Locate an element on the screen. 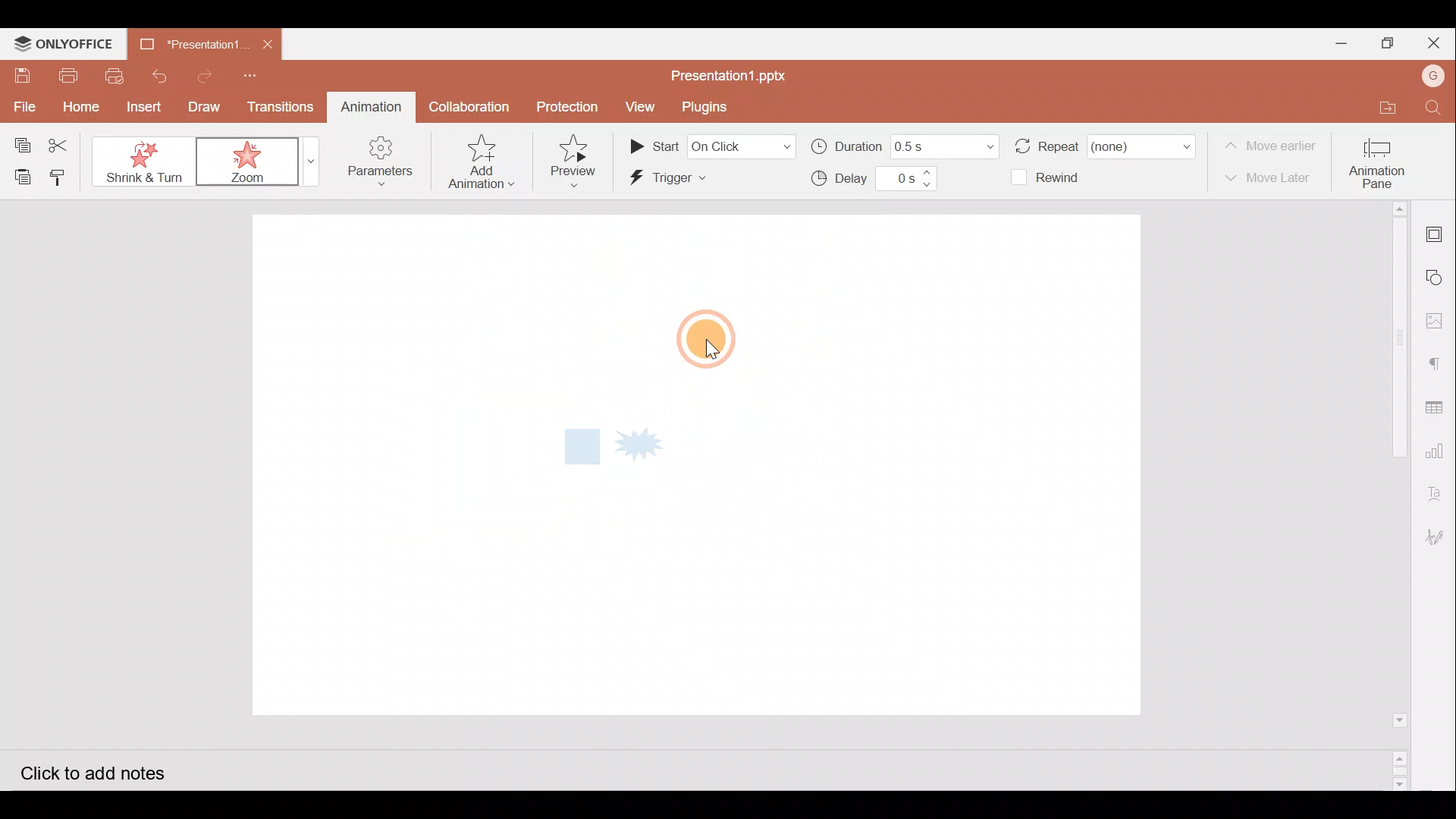  Parameters is located at coordinates (378, 165).